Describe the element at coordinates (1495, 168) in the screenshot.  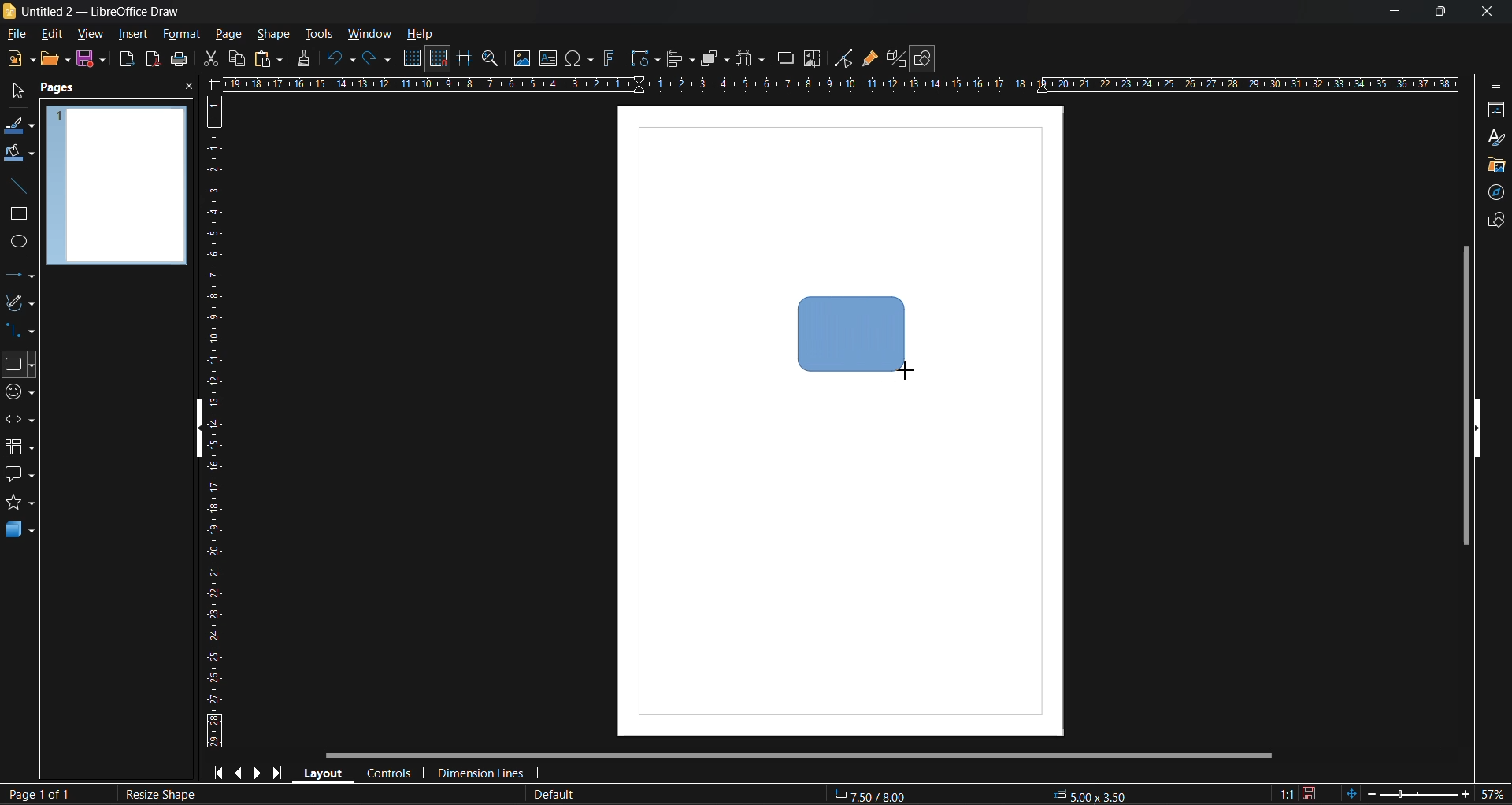
I see `gallery` at that location.